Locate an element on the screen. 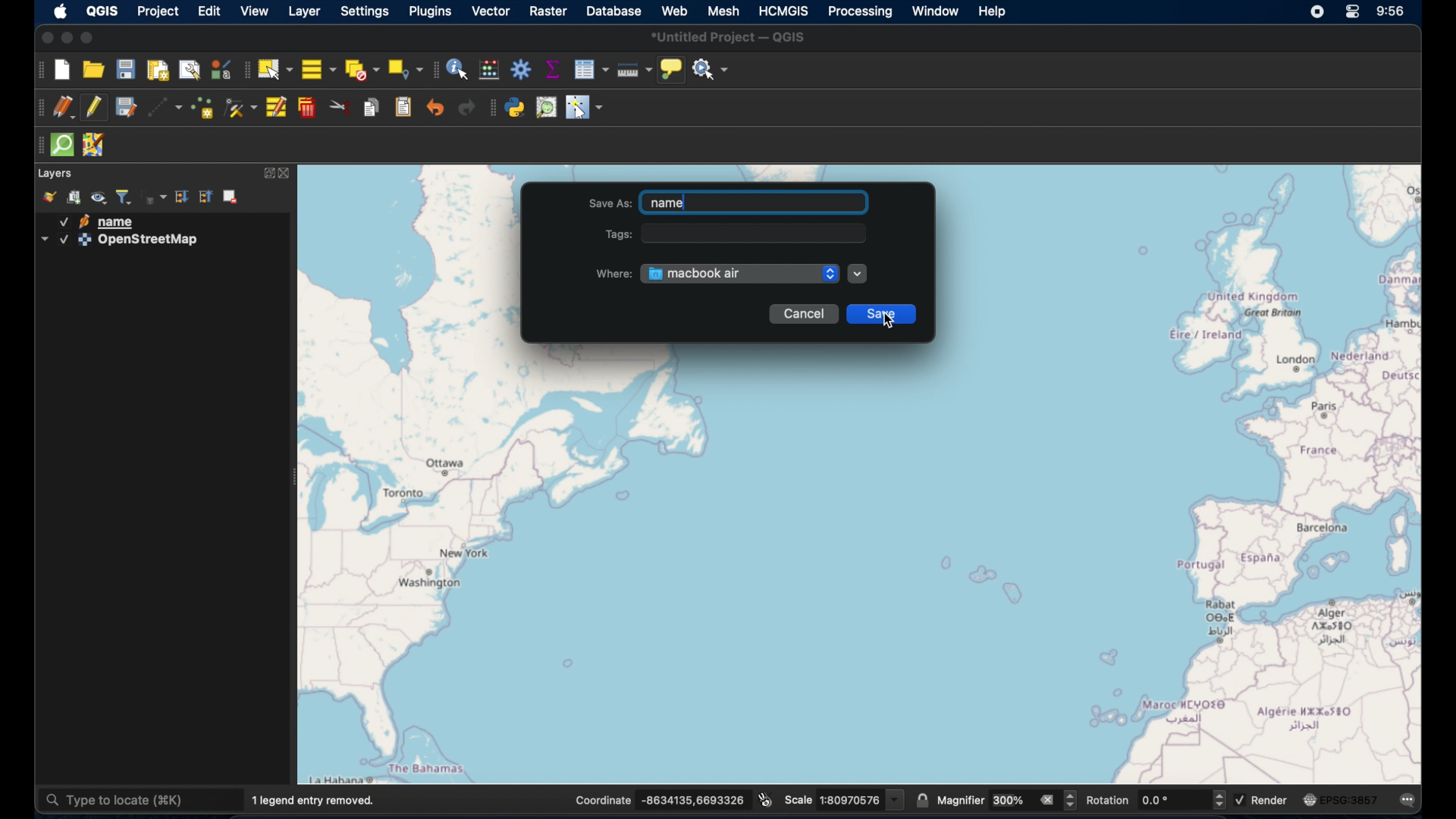 Image resolution: width=1456 pixels, height=819 pixels. database is located at coordinates (613, 11).